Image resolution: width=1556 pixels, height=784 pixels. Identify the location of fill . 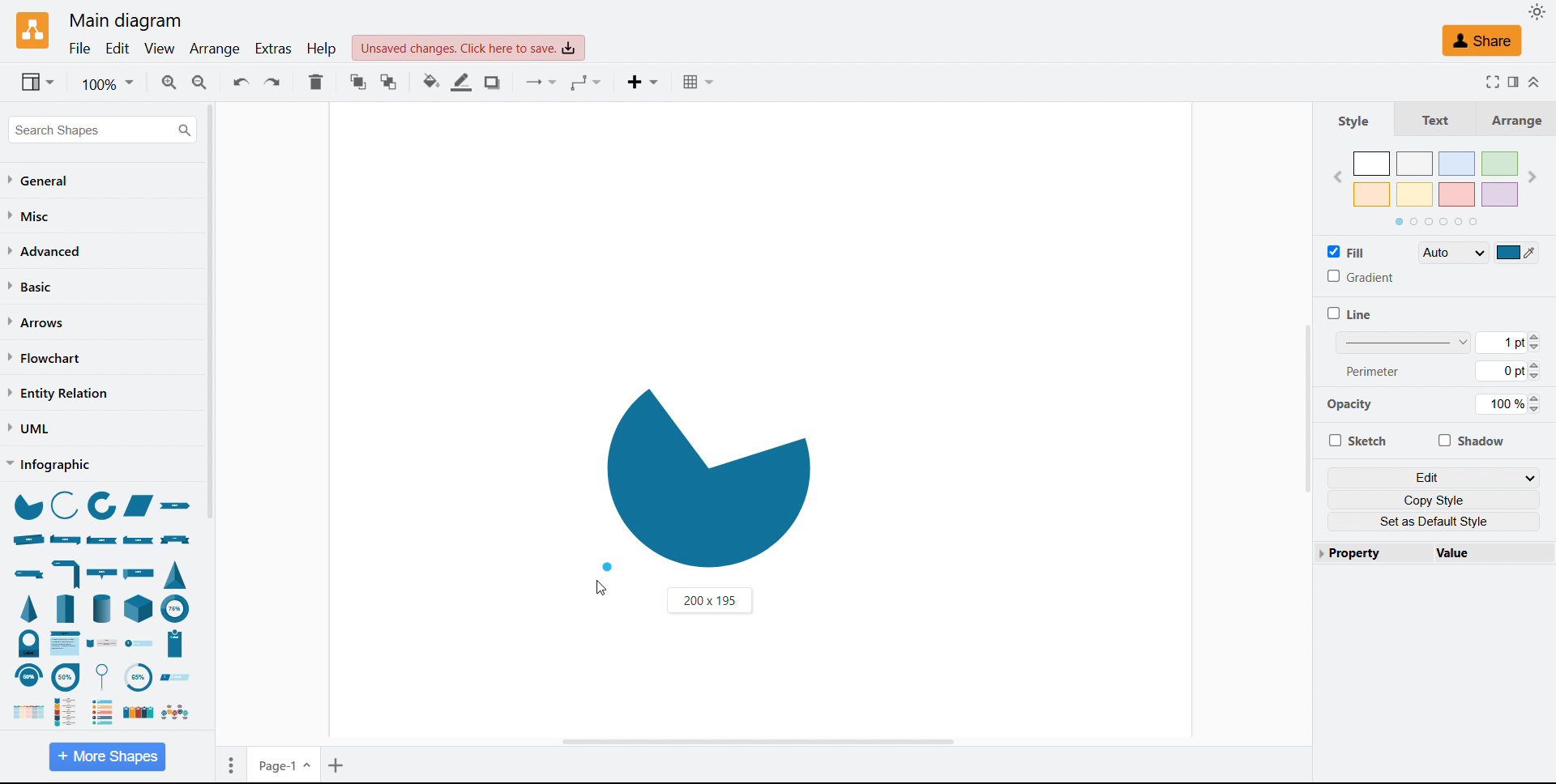
(1347, 251).